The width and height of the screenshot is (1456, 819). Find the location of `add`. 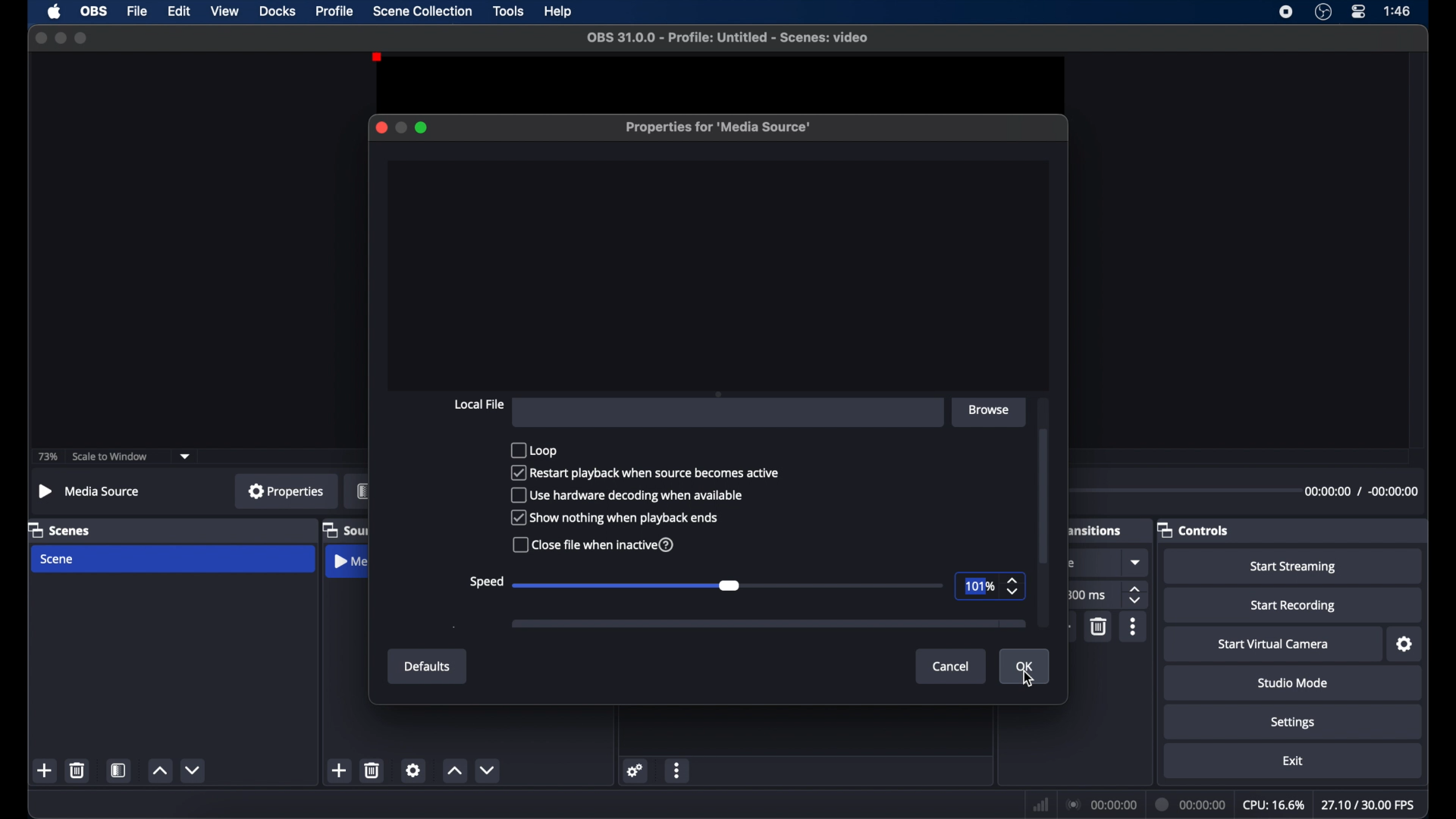

add is located at coordinates (45, 770).